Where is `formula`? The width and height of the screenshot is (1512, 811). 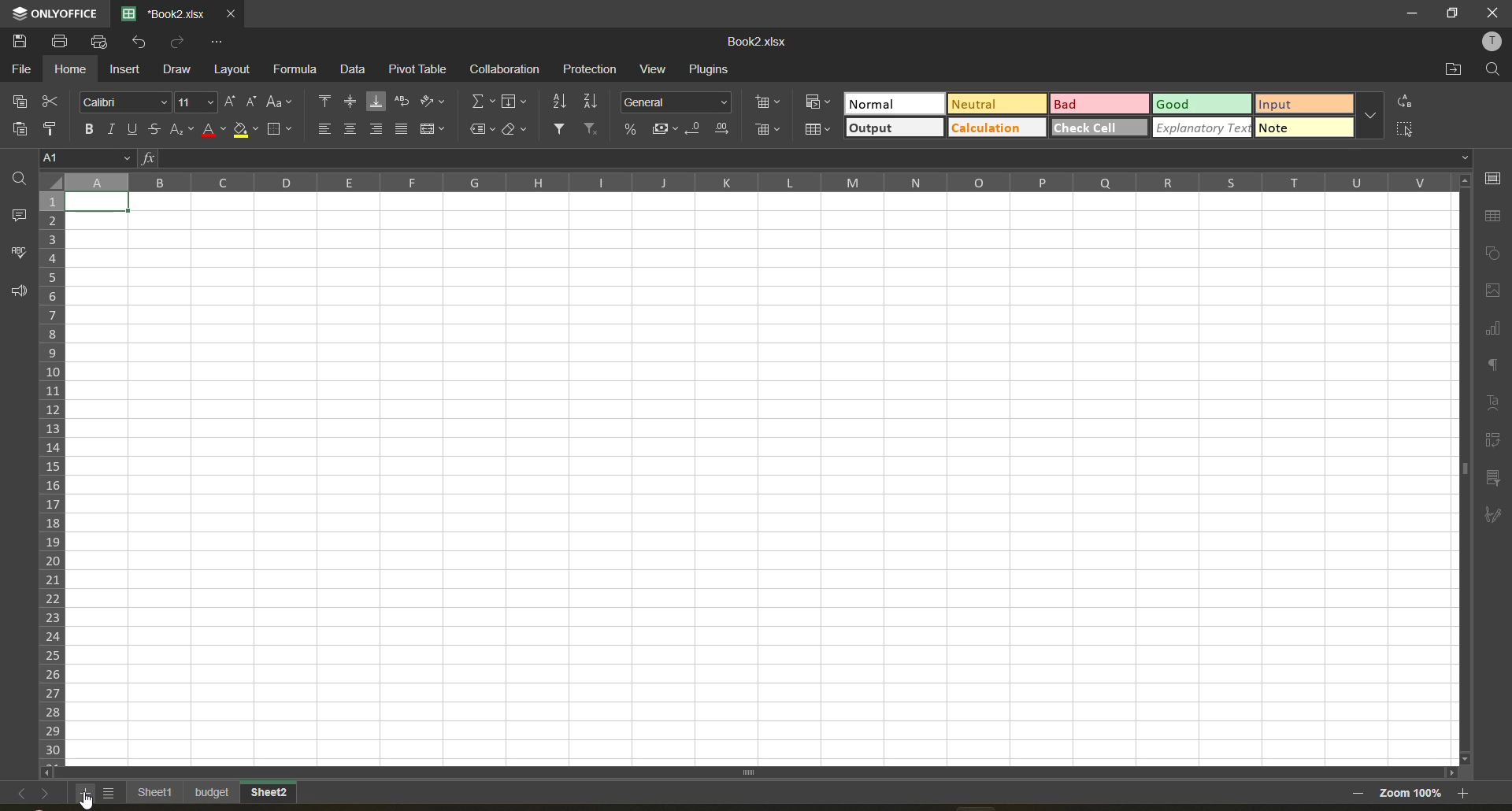 formula is located at coordinates (295, 69).